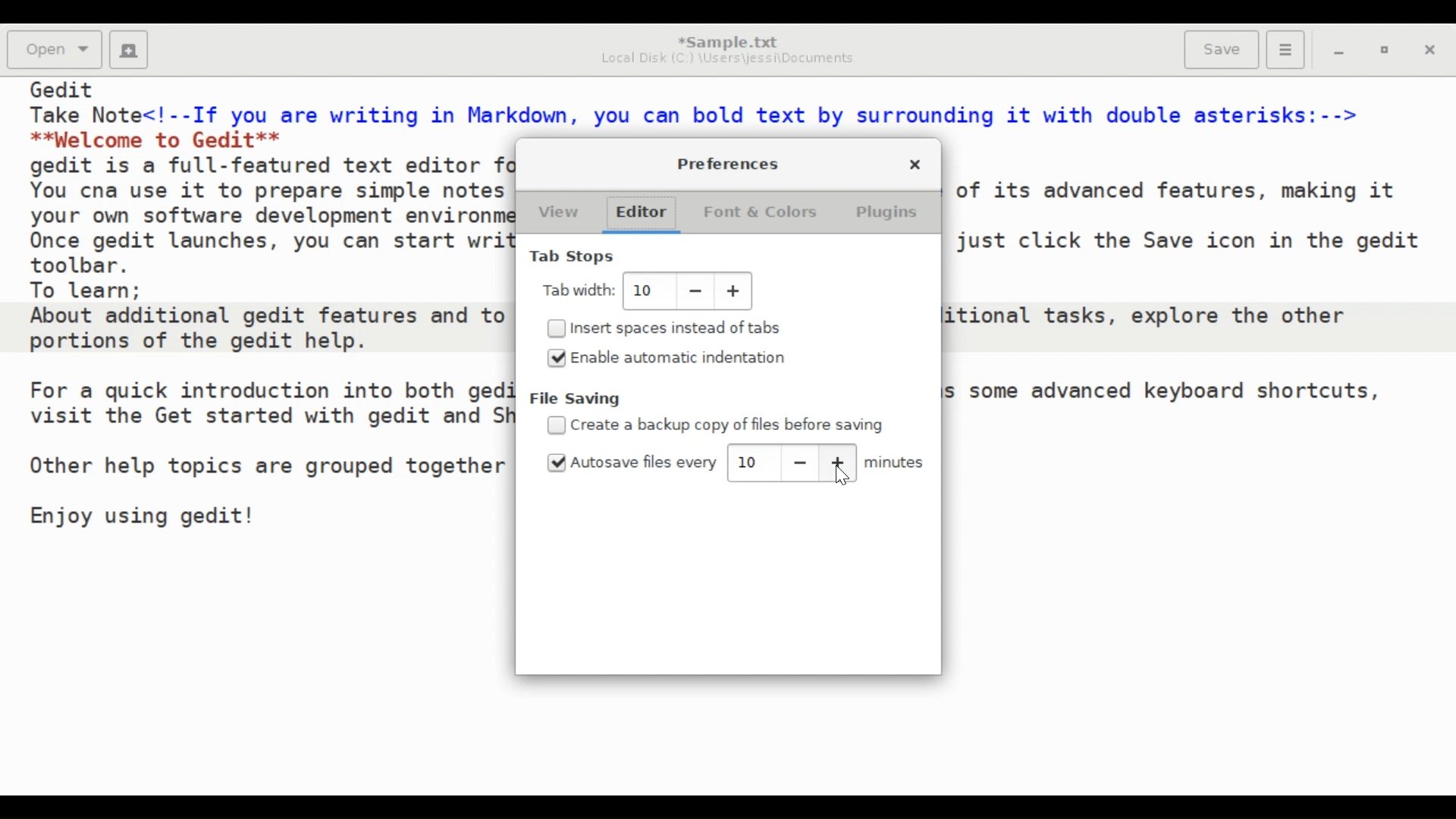  What do you see at coordinates (579, 290) in the screenshot?
I see `Tab Width` at bounding box center [579, 290].